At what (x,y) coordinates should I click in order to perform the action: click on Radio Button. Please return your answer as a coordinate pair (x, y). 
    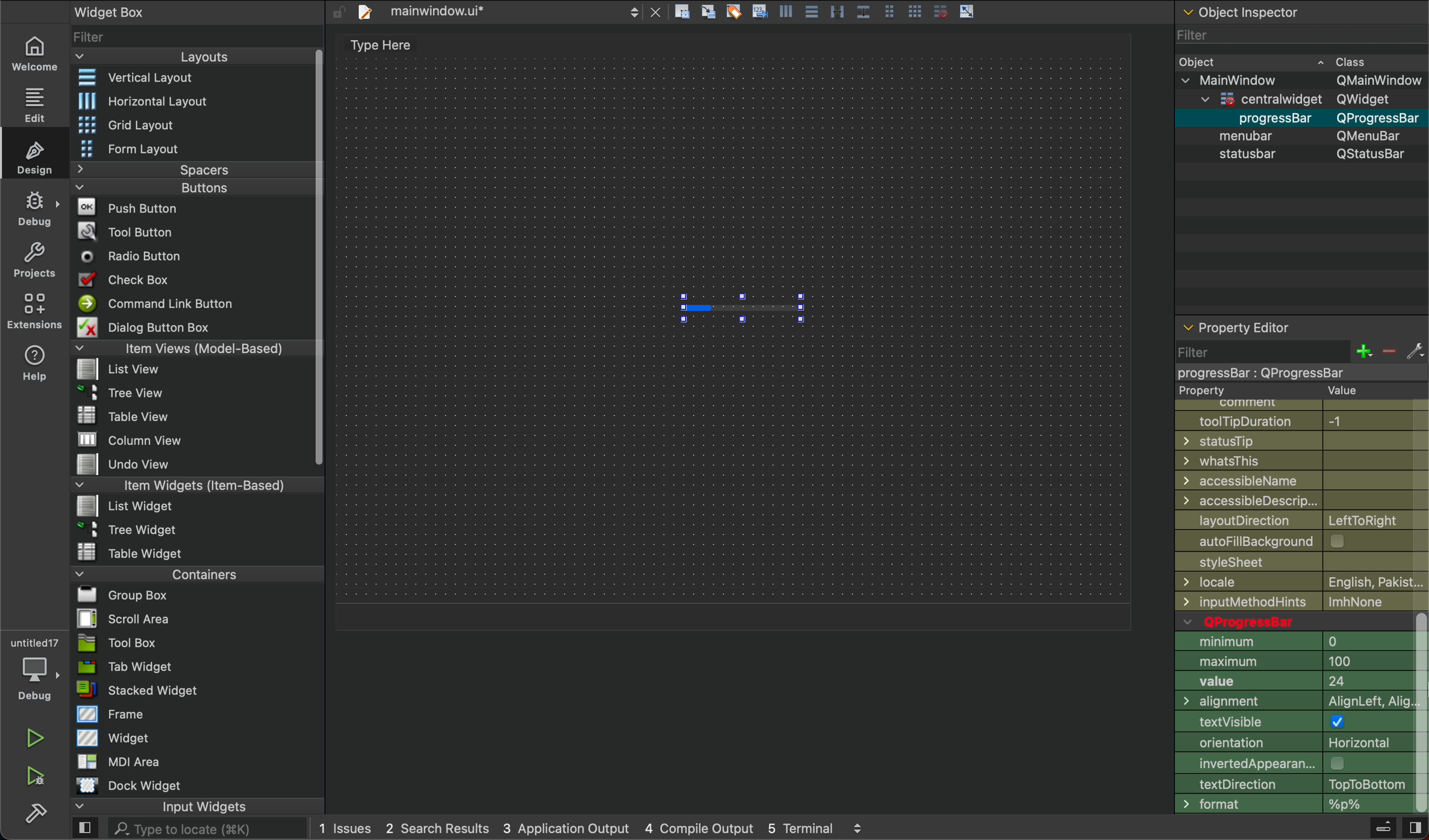
    Looking at the image, I should click on (136, 256).